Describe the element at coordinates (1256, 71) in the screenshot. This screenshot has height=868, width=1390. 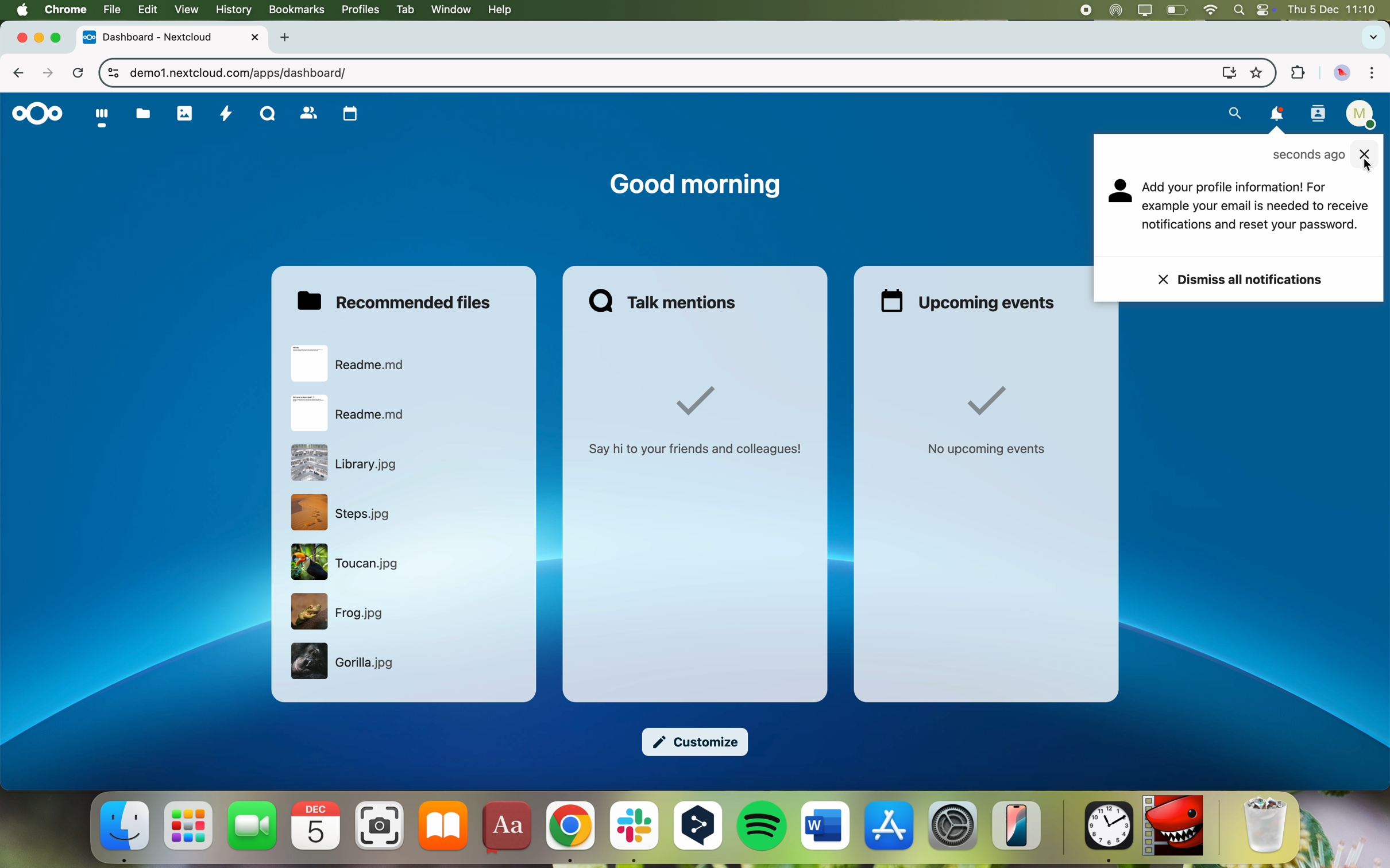
I see `favorites` at that location.